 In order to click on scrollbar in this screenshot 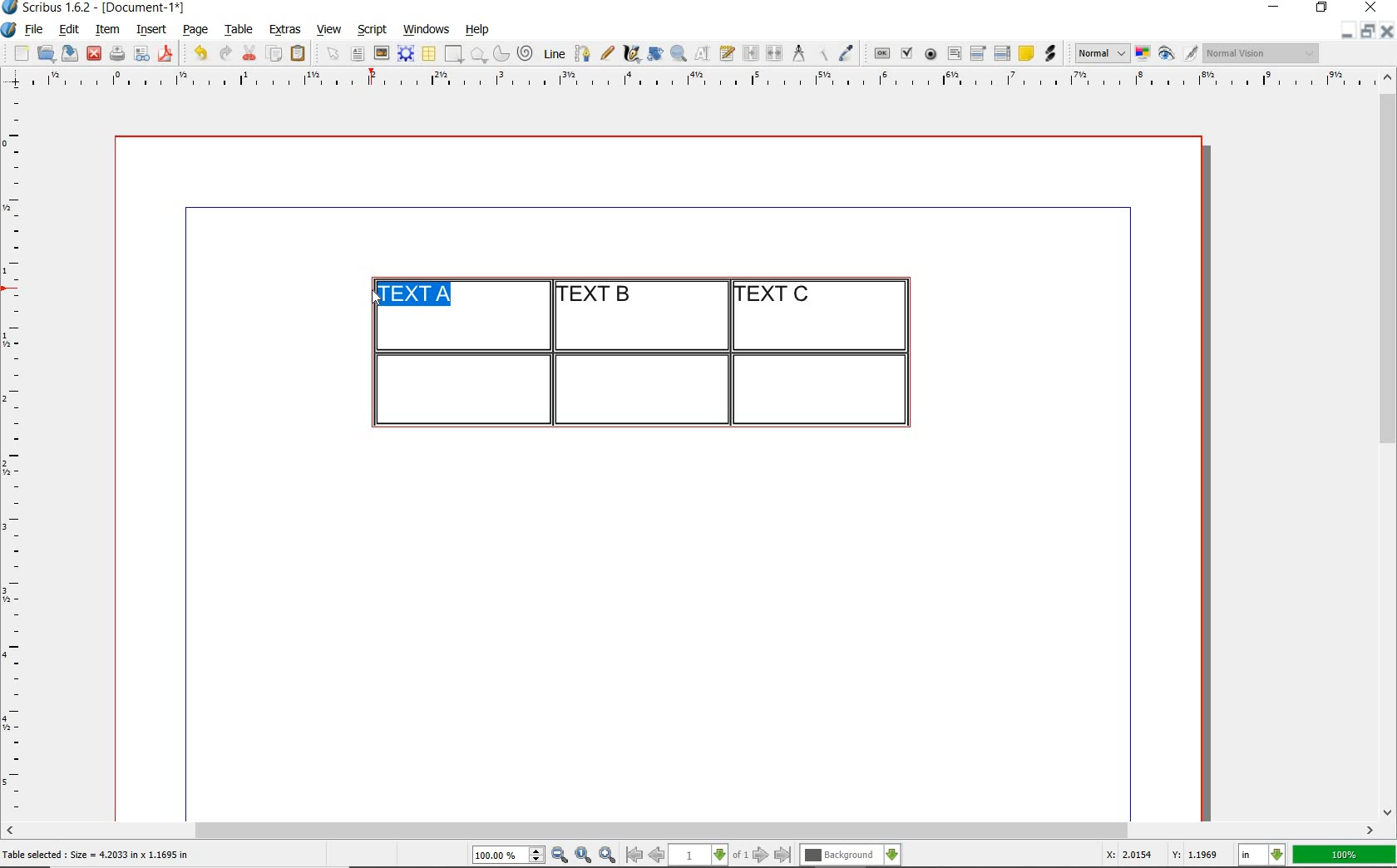, I will do `click(1389, 443)`.